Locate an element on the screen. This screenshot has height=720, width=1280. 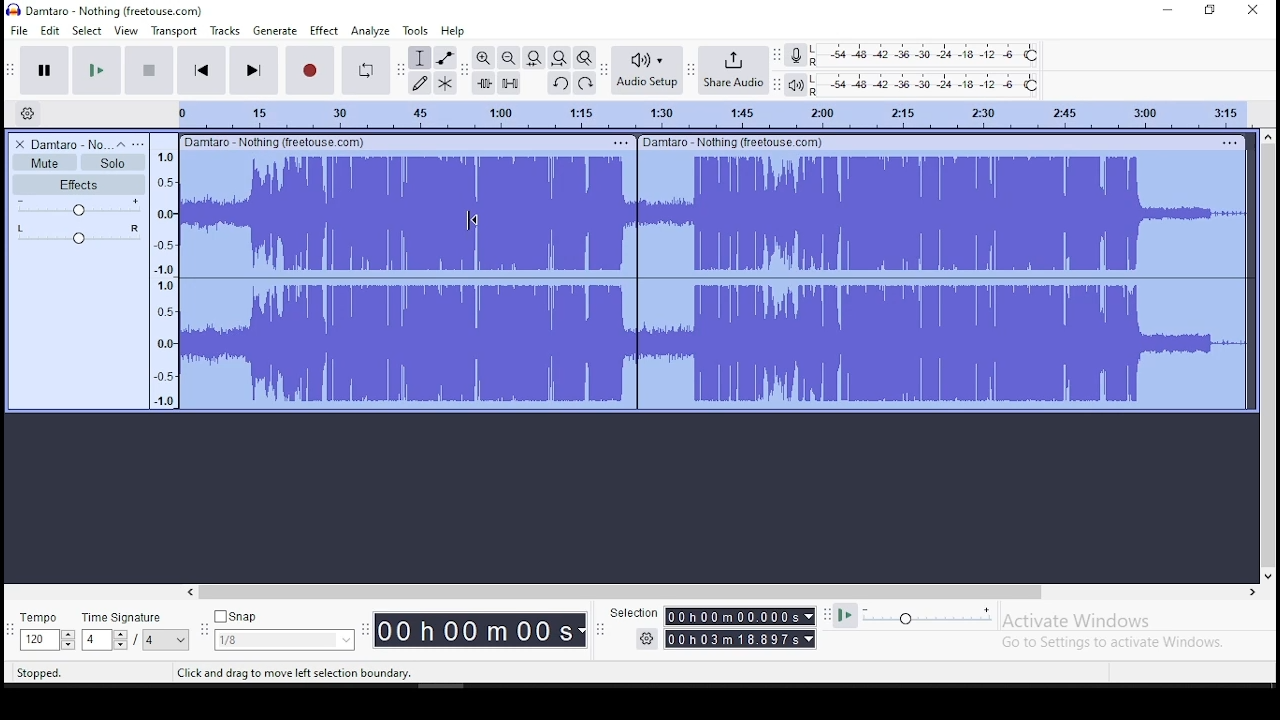
scroll bar is located at coordinates (622, 592).